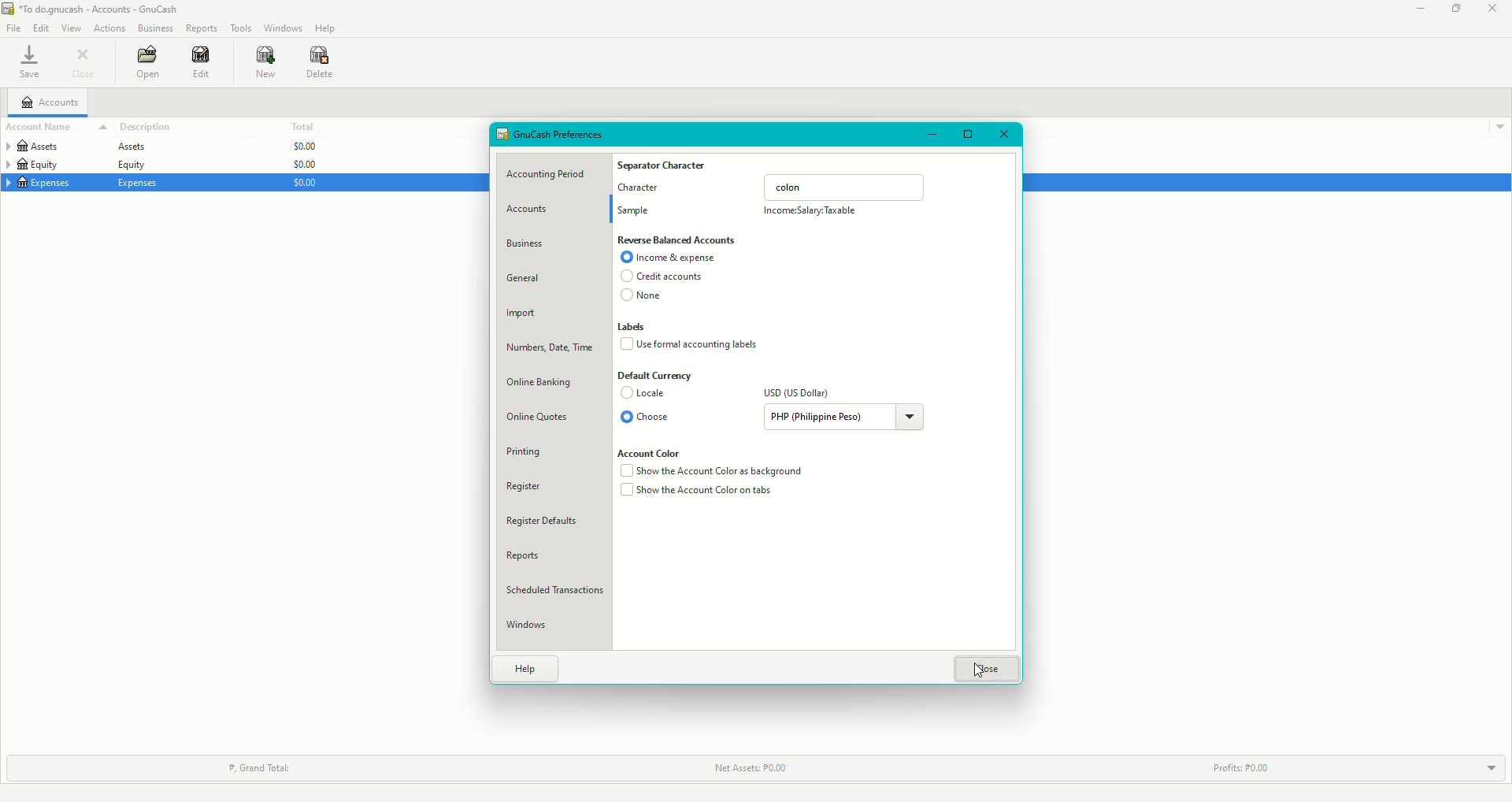 The height and width of the screenshot is (802, 1512). What do you see at coordinates (283, 28) in the screenshot?
I see `Windows` at bounding box center [283, 28].